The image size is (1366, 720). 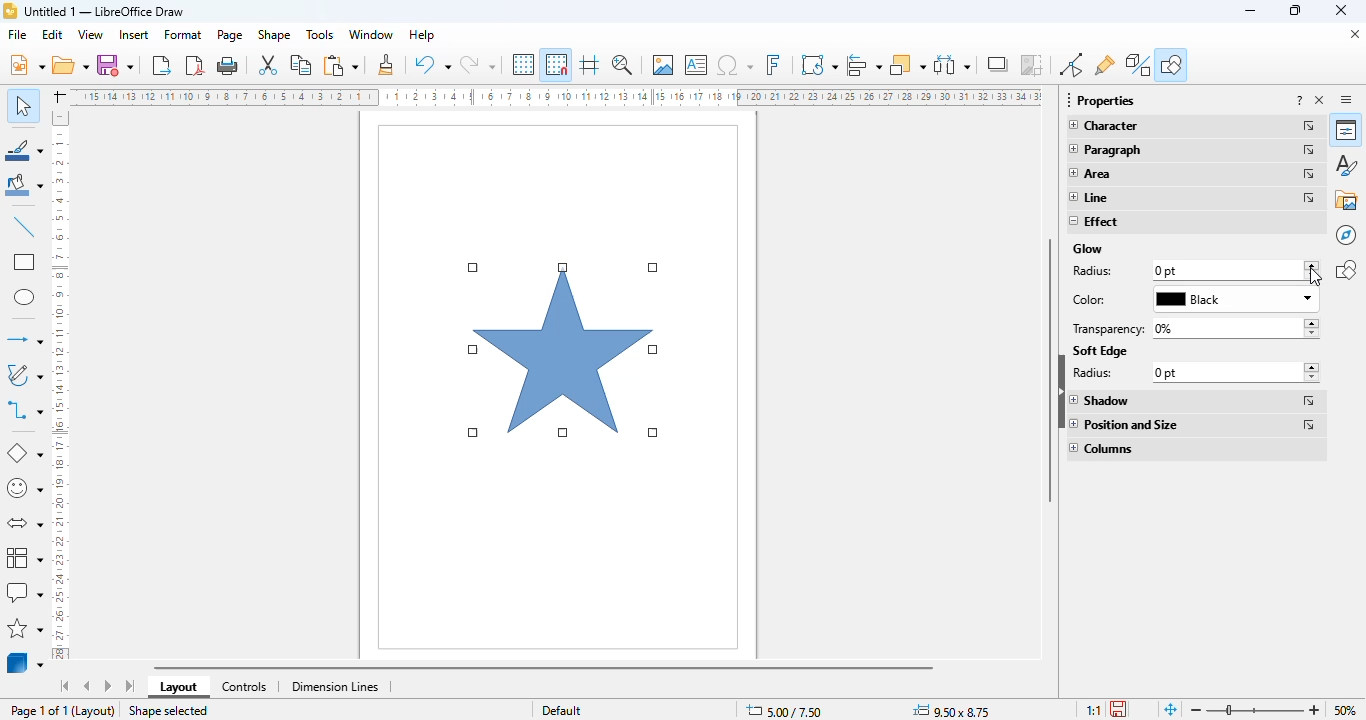 What do you see at coordinates (1311, 150) in the screenshot?
I see `more options` at bounding box center [1311, 150].